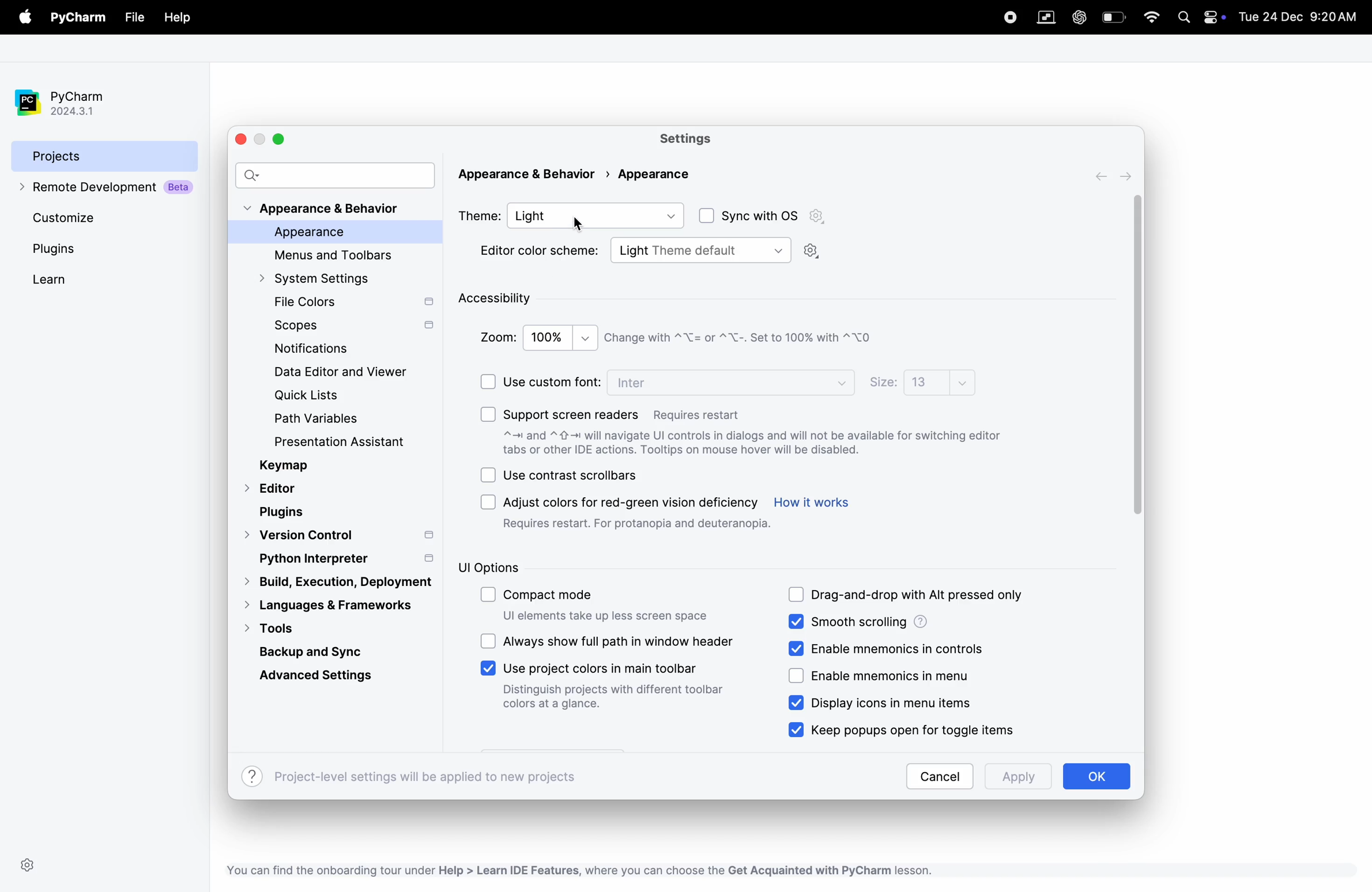  I want to click on apple widgets, so click(1216, 16).